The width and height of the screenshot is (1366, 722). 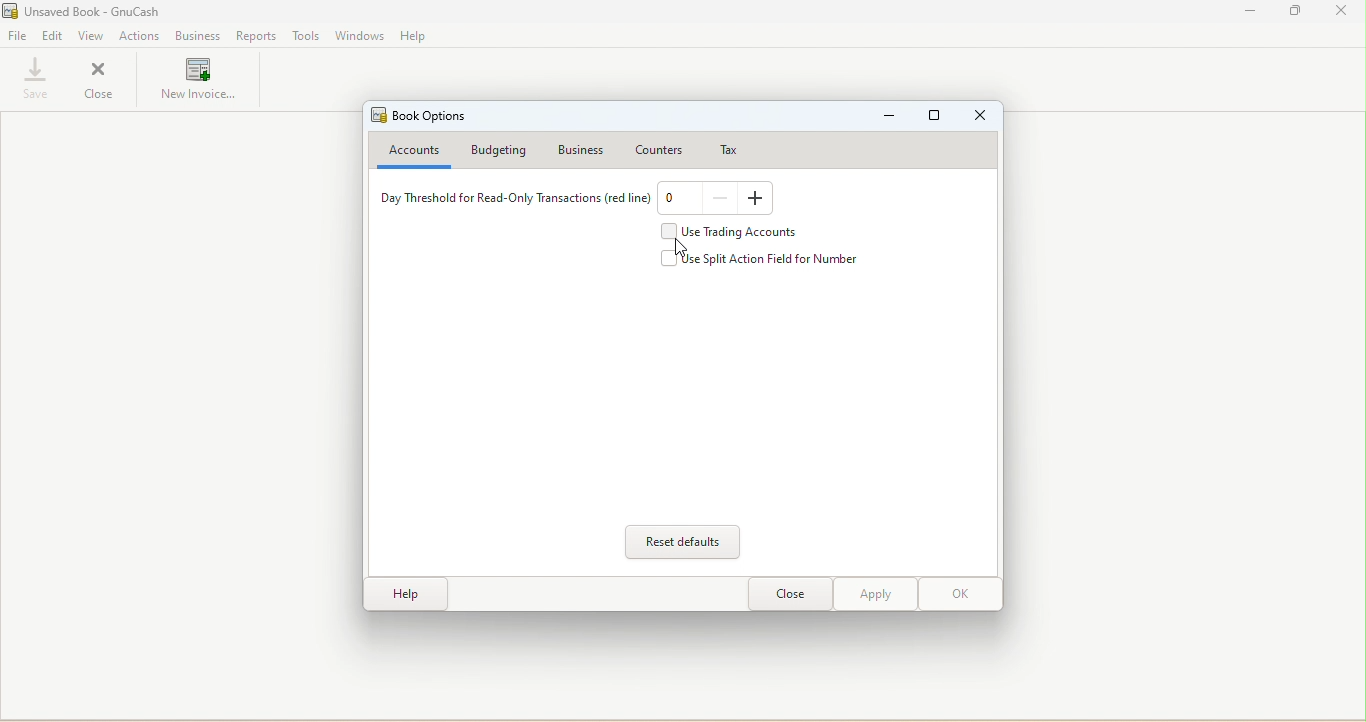 What do you see at coordinates (18, 38) in the screenshot?
I see `File` at bounding box center [18, 38].